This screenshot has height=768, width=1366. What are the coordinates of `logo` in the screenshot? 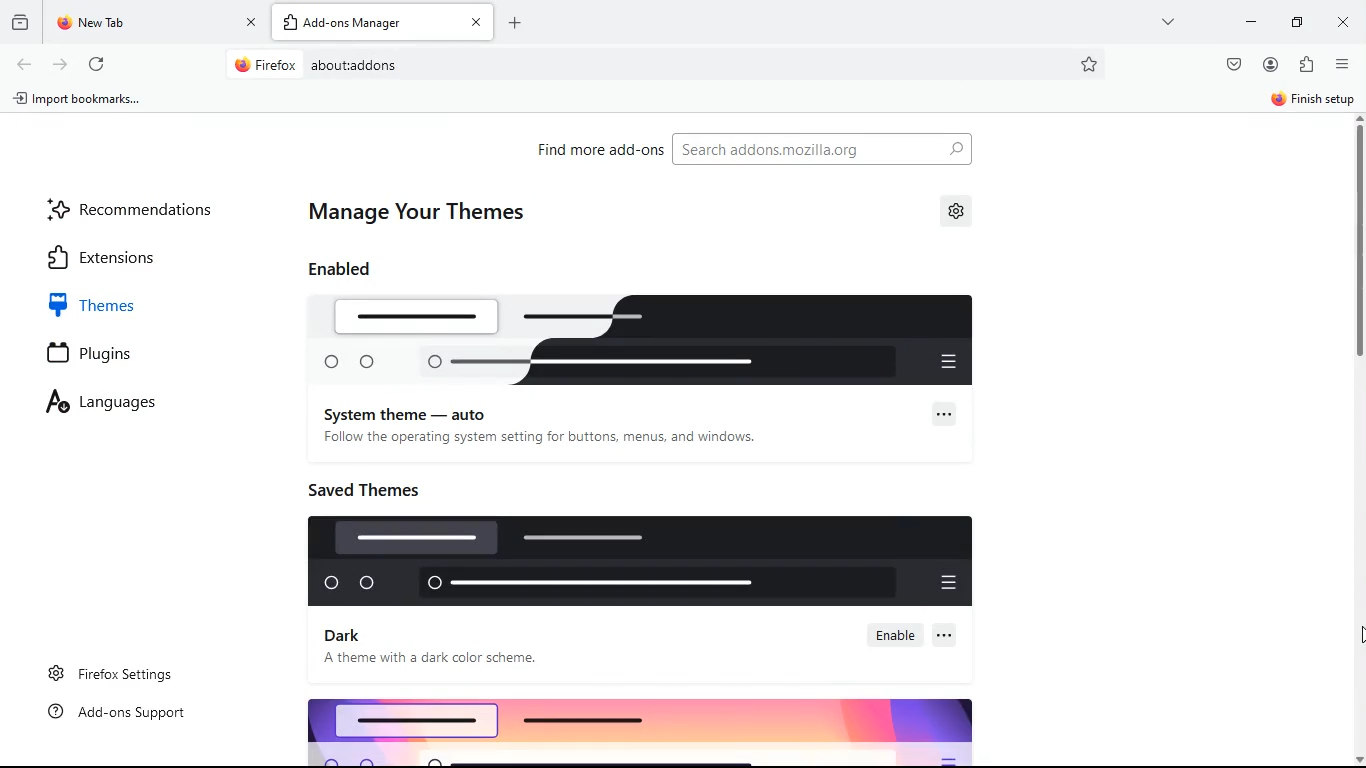 It's located at (631, 726).